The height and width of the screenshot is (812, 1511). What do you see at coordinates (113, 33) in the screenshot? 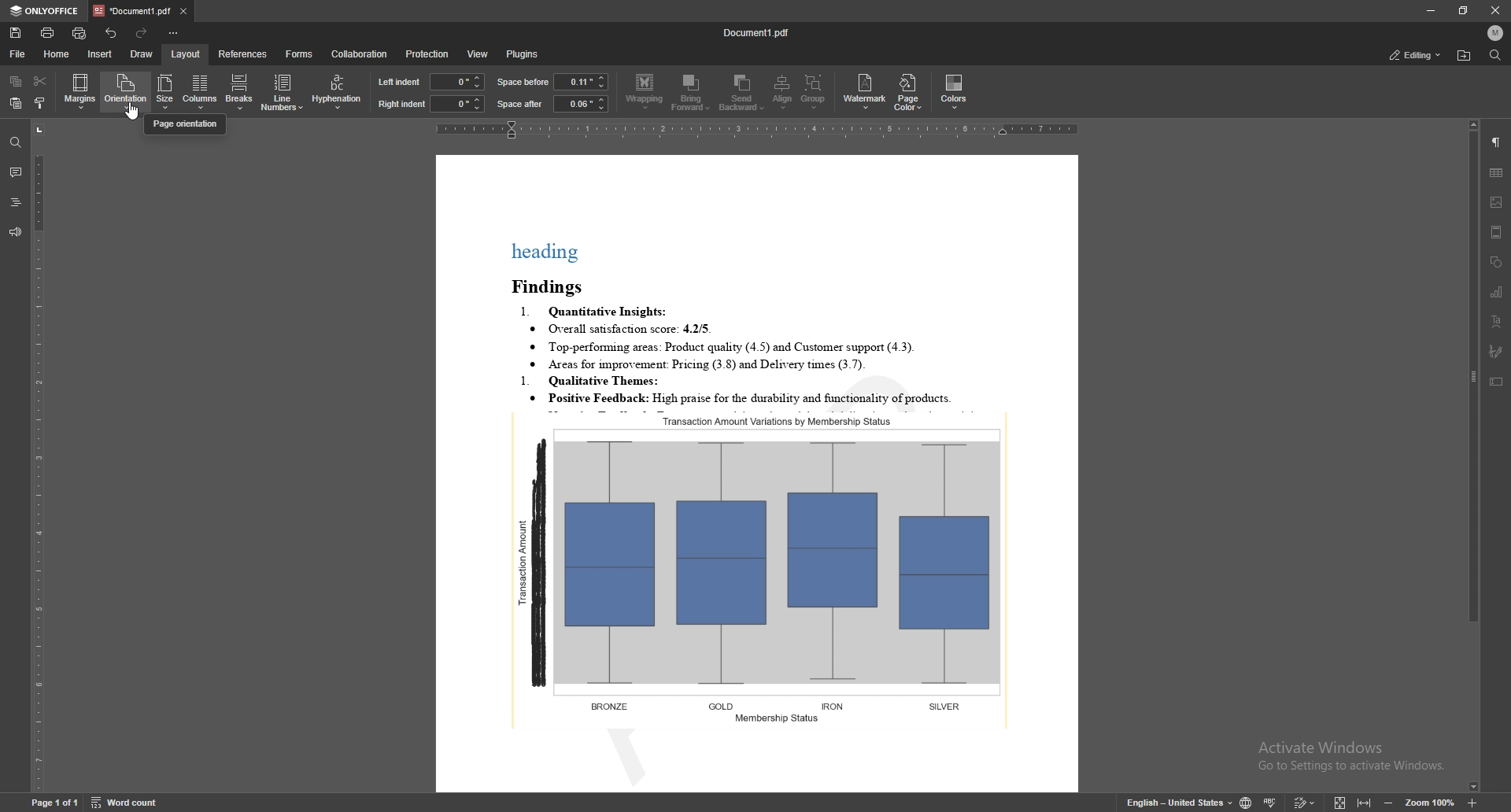
I see `undo` at bounding box center [113, 33].